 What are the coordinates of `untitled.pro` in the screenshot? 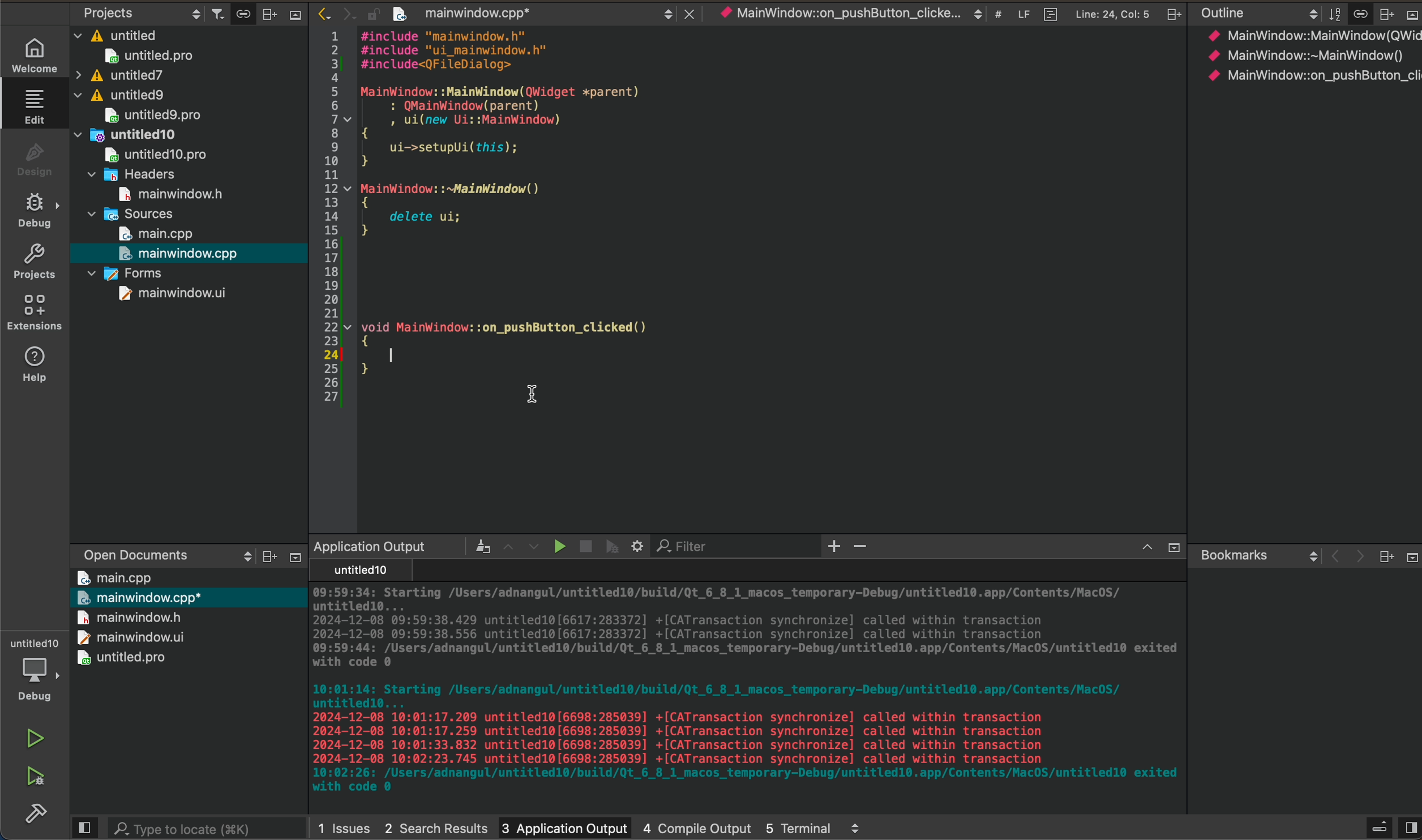 It's located at (123, 658).